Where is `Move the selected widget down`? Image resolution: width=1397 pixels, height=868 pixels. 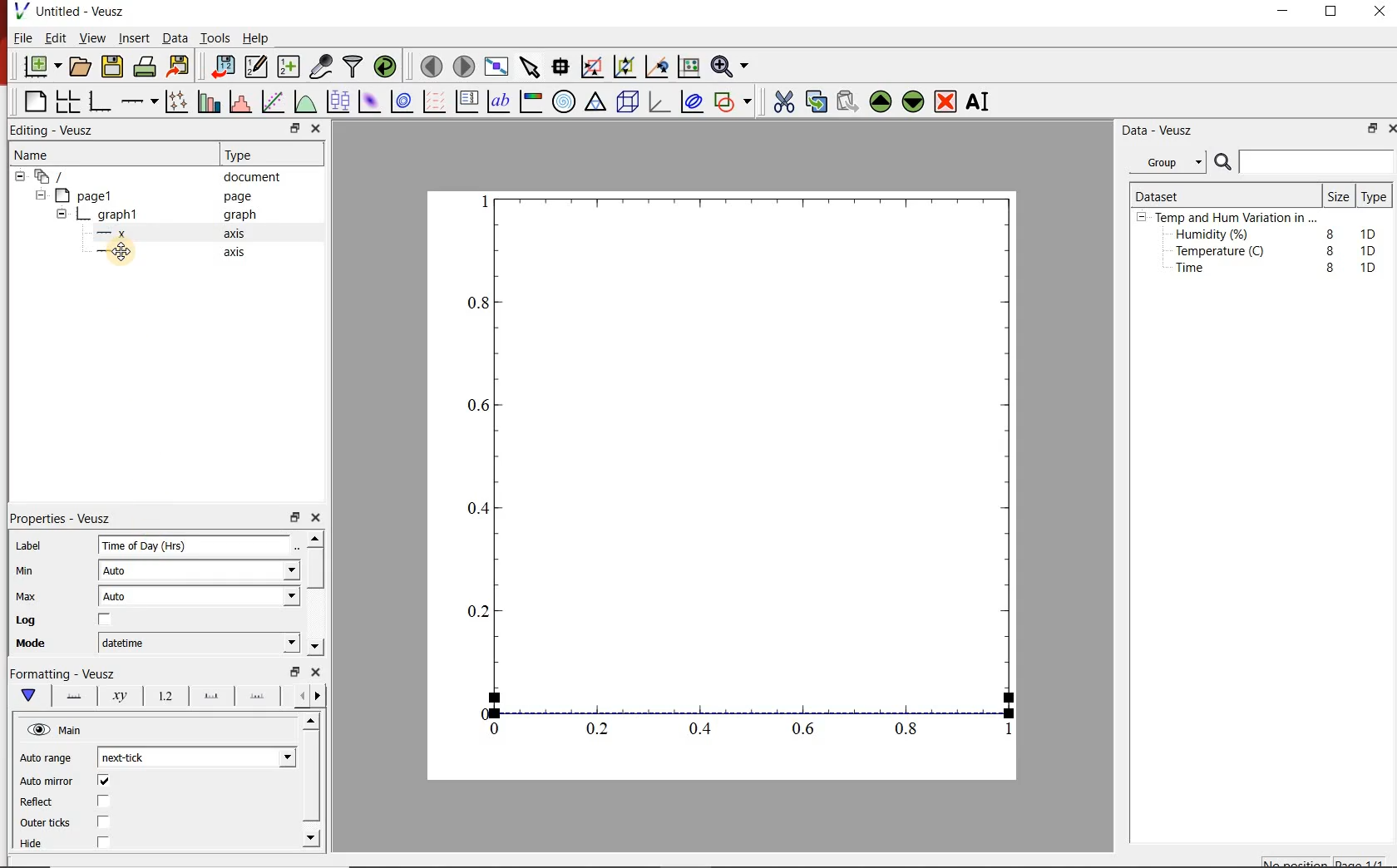
Move the selected widget down is located at coordinates (916, 101).